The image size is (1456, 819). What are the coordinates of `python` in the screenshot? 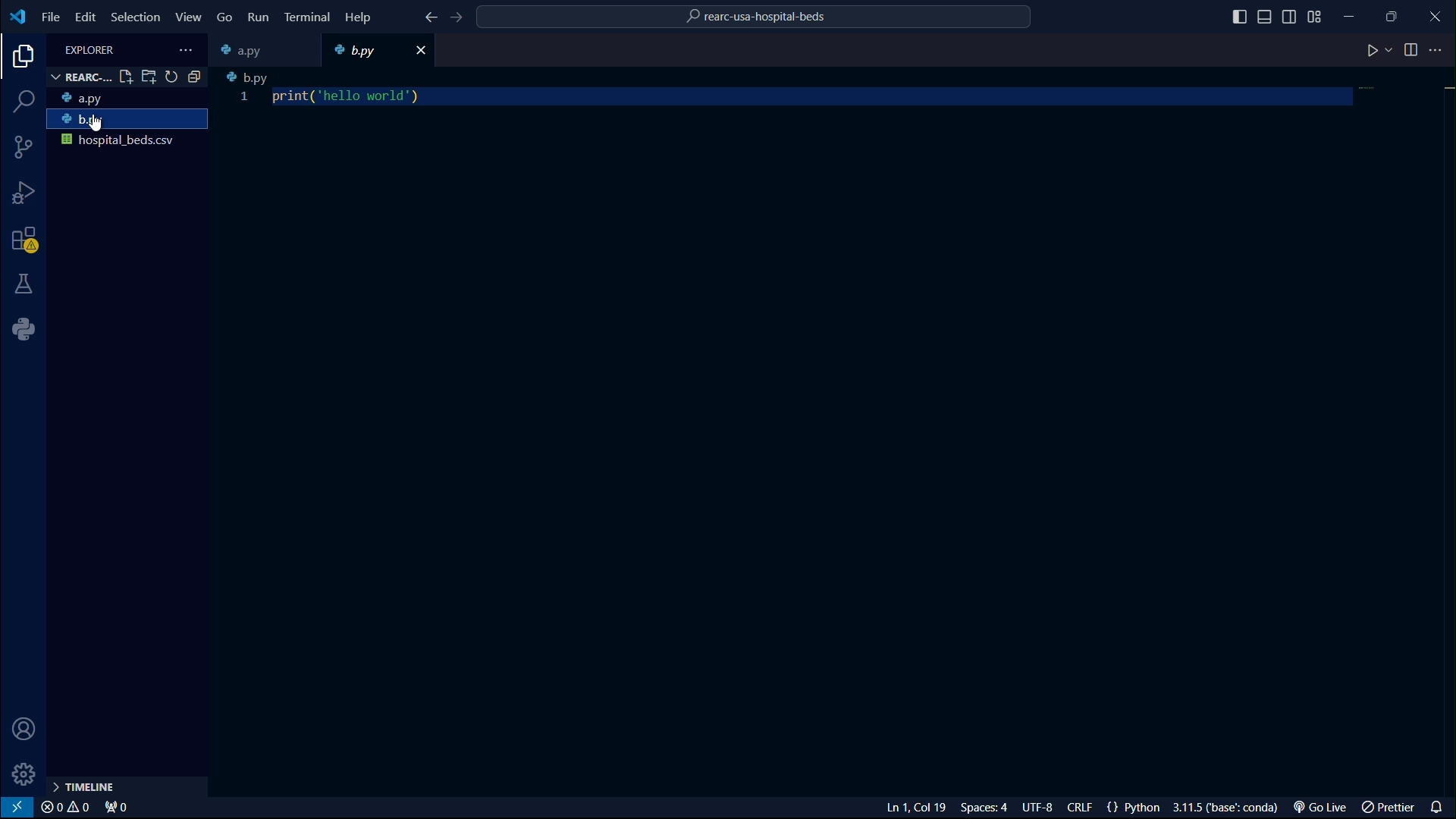 It's located at (24, 331).